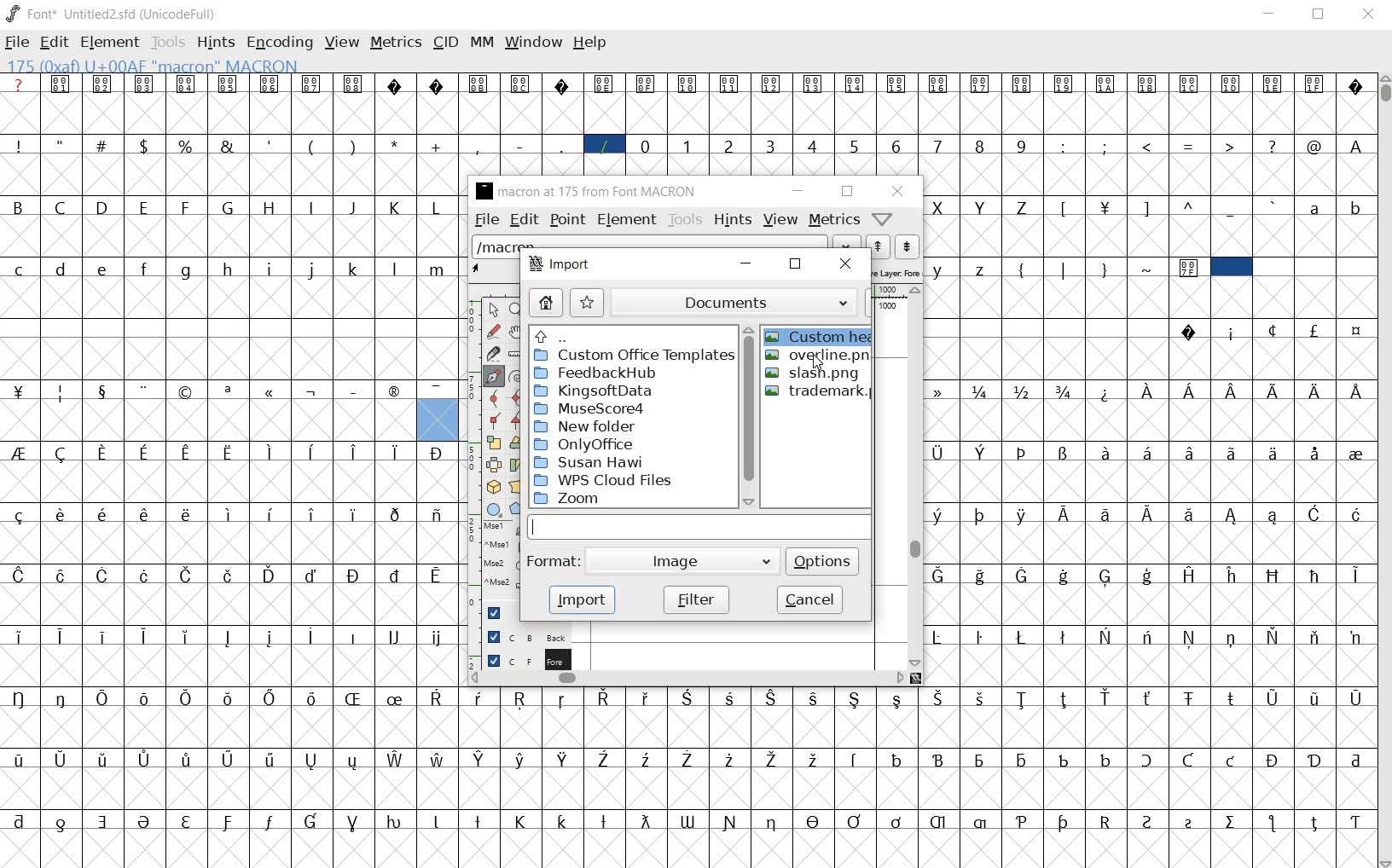 Image resolution: width=1392 pixels, height=868 pixels. What do you see at coordinates (1191, 391) in the screenshot?
I see `Symbol` at bounding box center [1191, 391].